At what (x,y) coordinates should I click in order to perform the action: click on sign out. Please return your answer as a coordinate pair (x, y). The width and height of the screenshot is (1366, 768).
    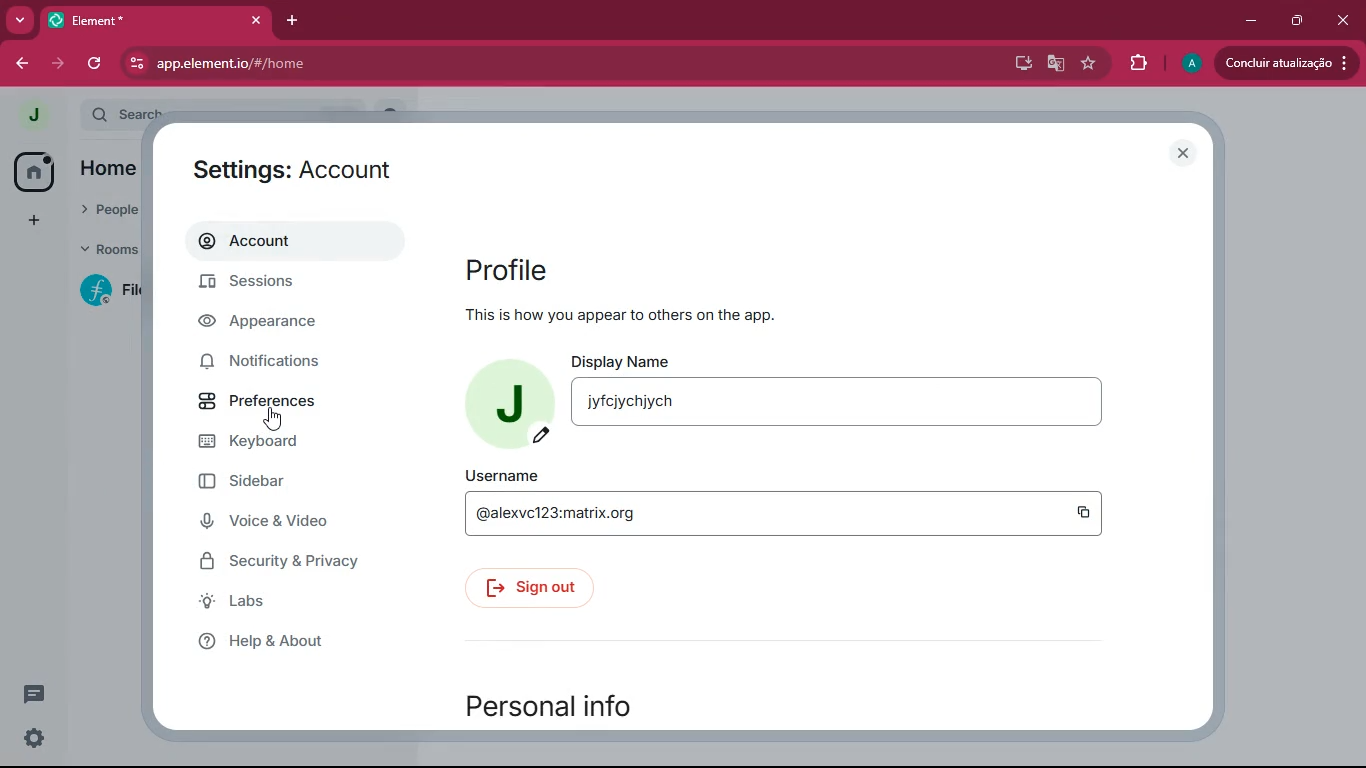
    Looking at the image, I should click on (558, 589).